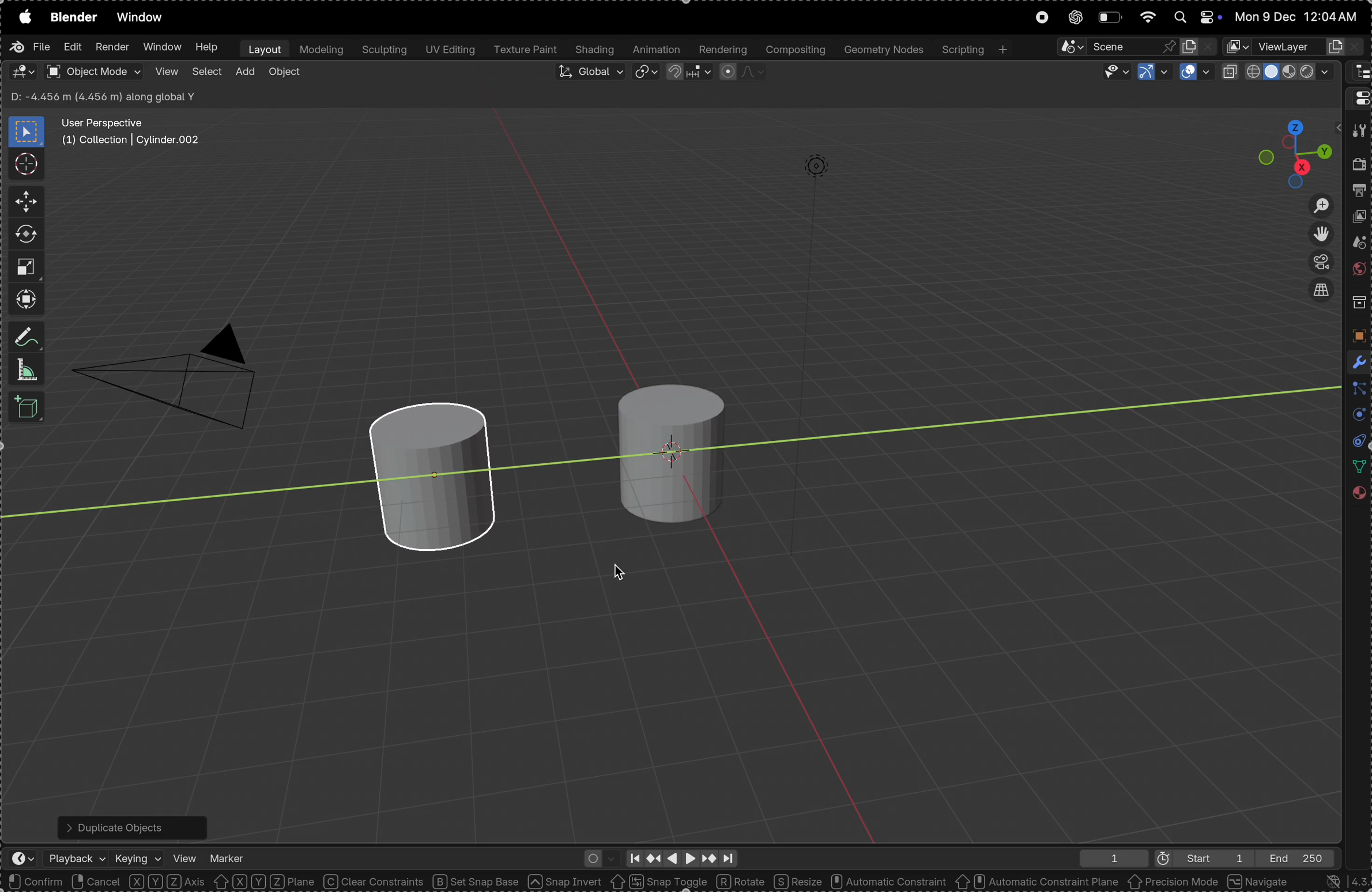 This screenshot has height=892, width=1372. Describe the element at coordinates (1358, 497) in the screenshot. I see `material` at that location.